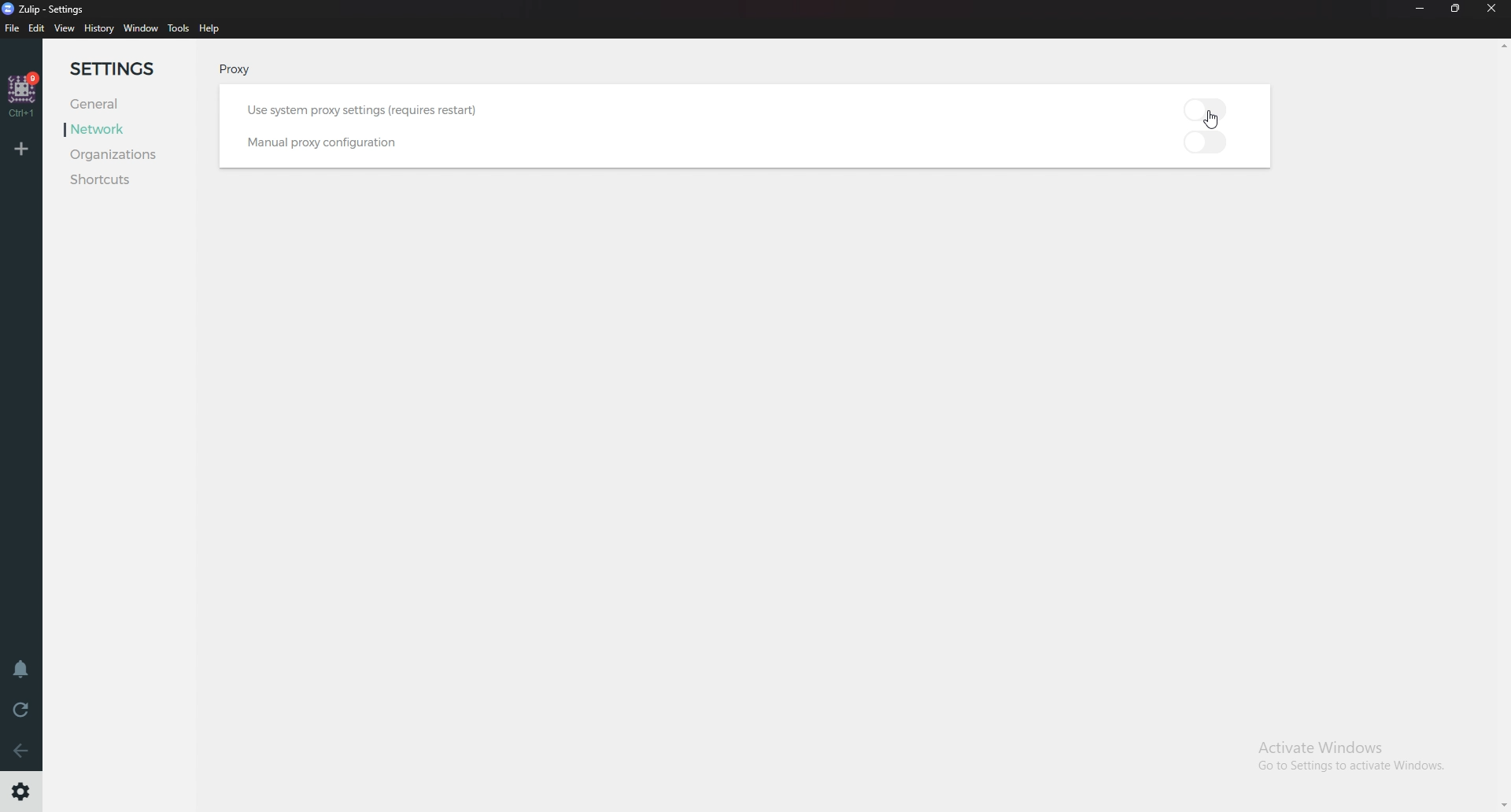 This screenshot has height=812, width=1511. What do you see at coordinates (19, 672) in the screenshot?
I see `Enable do not disturb` at bounding box center [19, 672].